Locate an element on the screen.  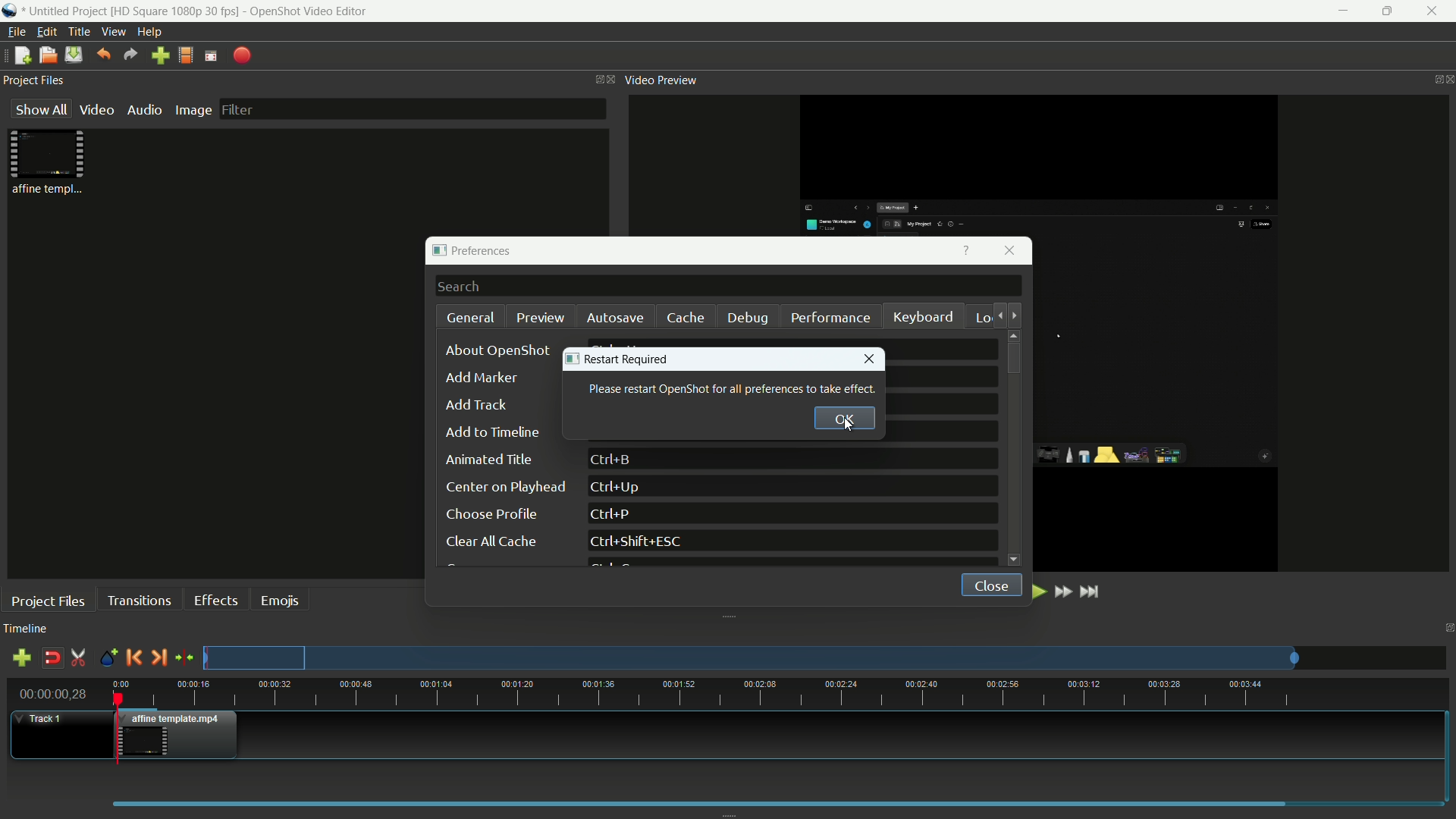
close window is located at coordinates (872, 359).